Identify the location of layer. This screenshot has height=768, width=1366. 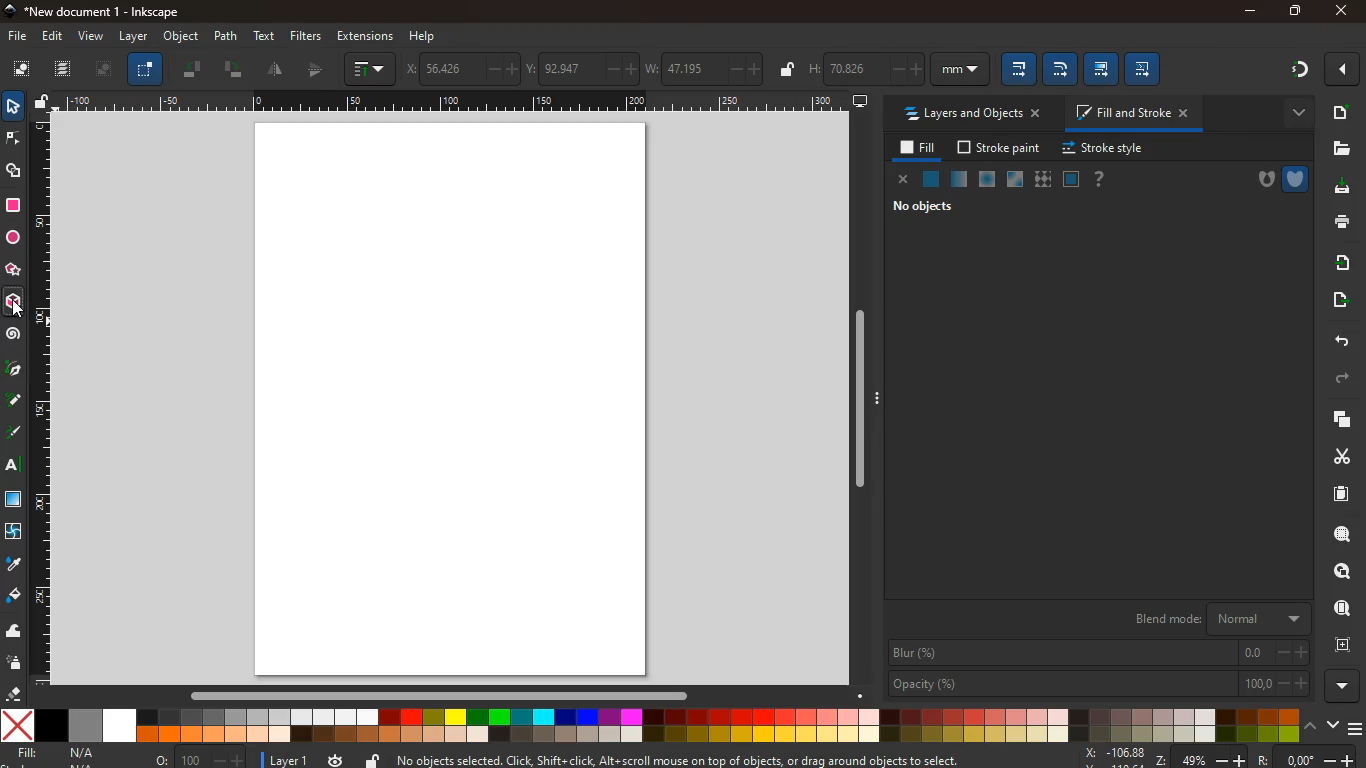
(133, 36).